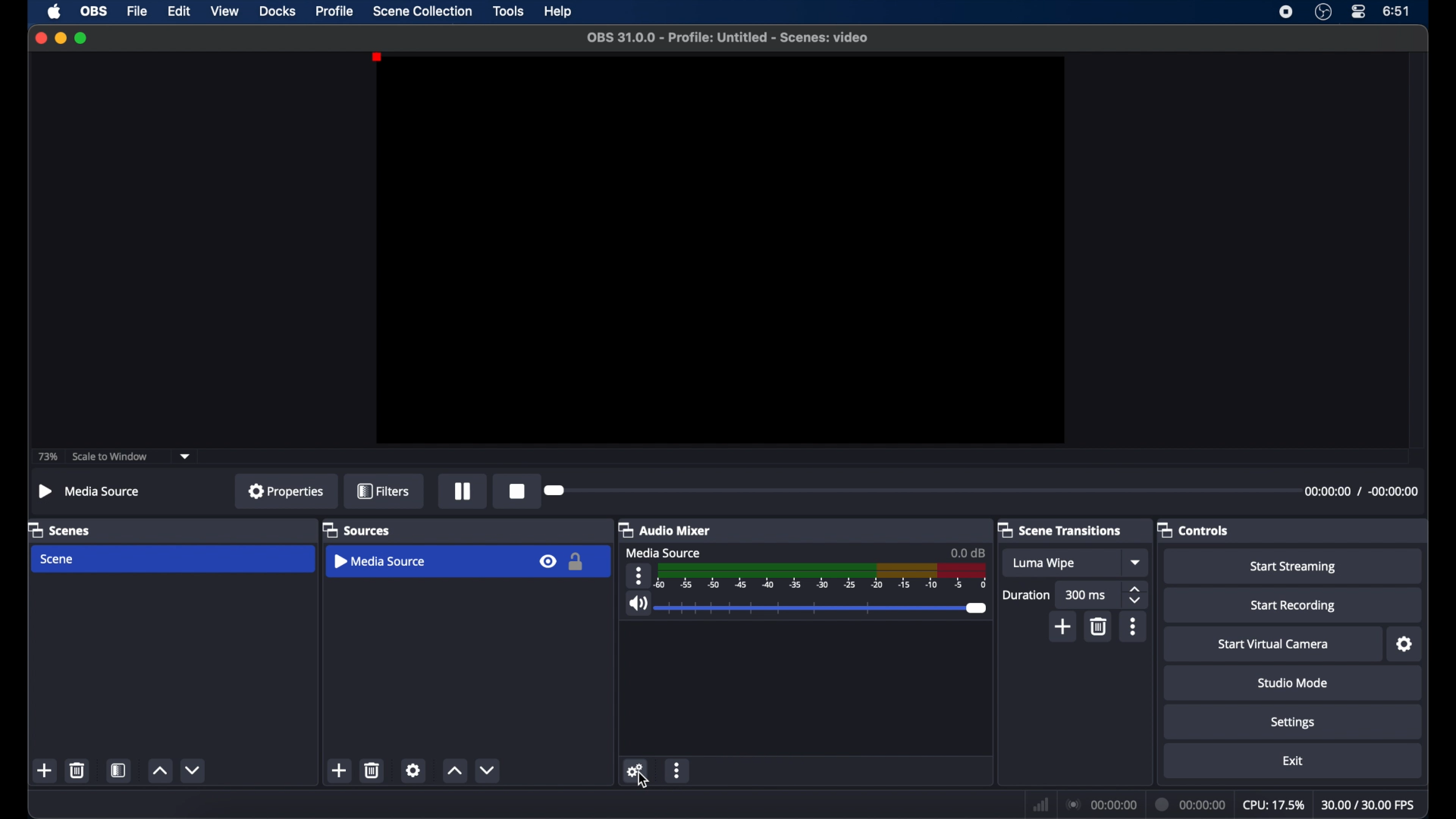 This screenshot has width=1456, height=819. I want to click on slider, so click(824, 608).